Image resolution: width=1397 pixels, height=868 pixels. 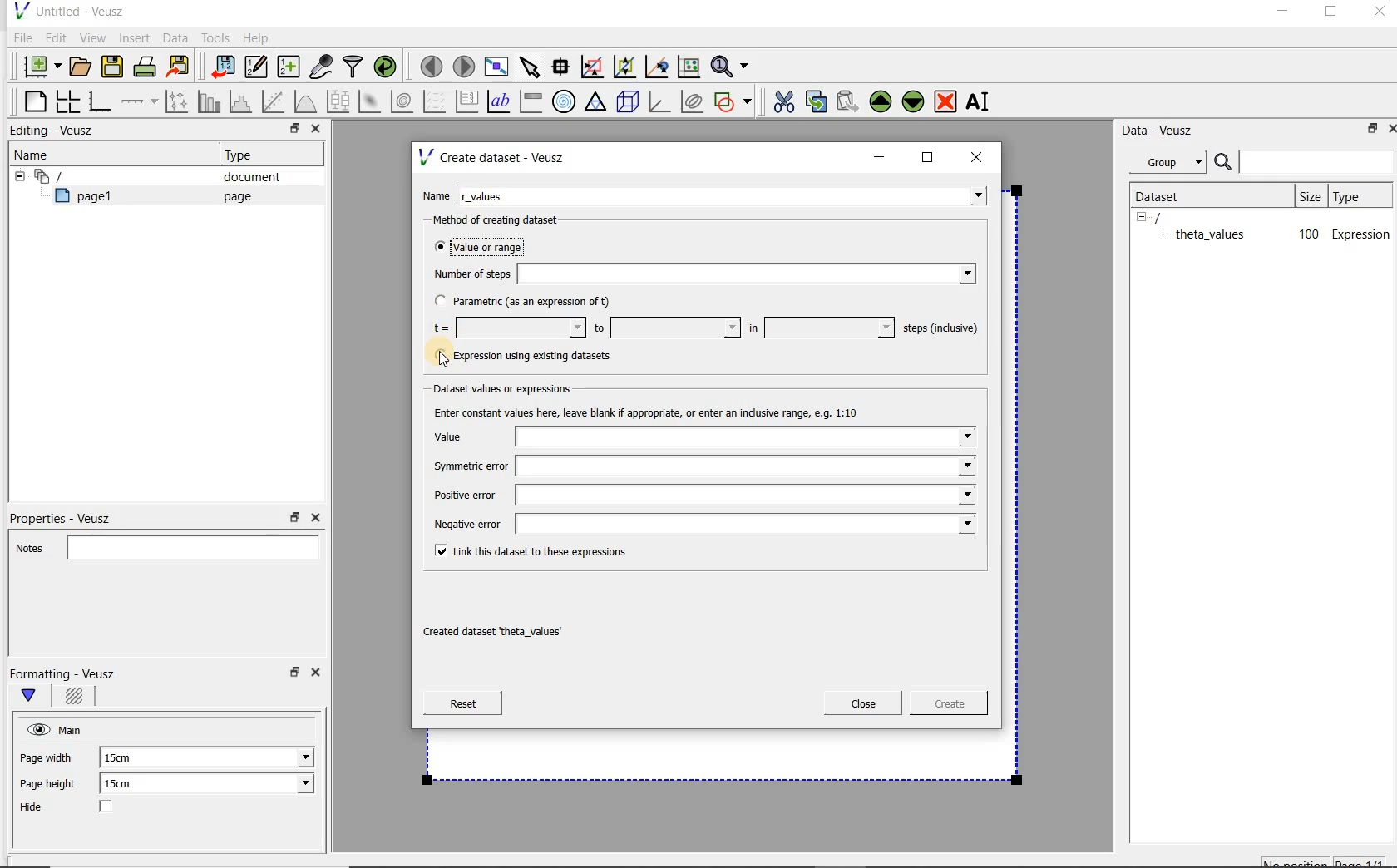 I want to click on page, so click(x=234, y=196).